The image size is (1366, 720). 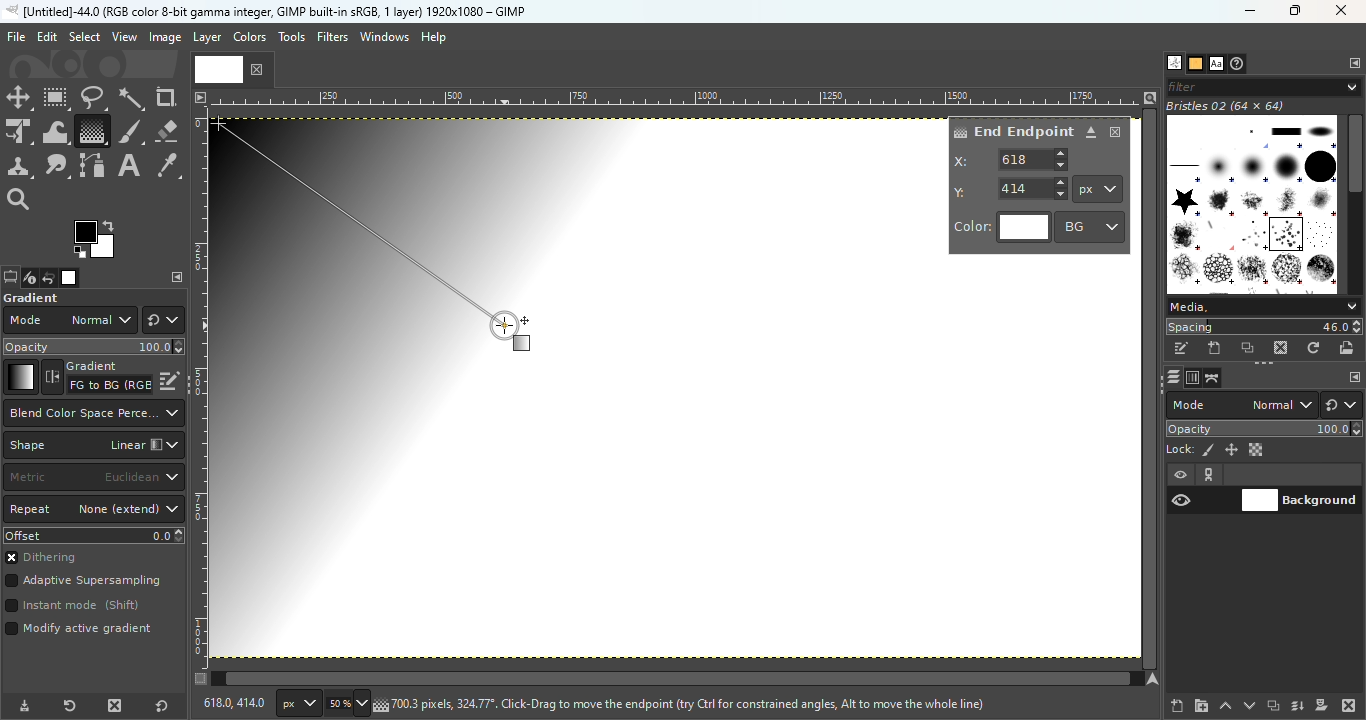 I want to click on Delete this brush, so click(x=1282, y=347).